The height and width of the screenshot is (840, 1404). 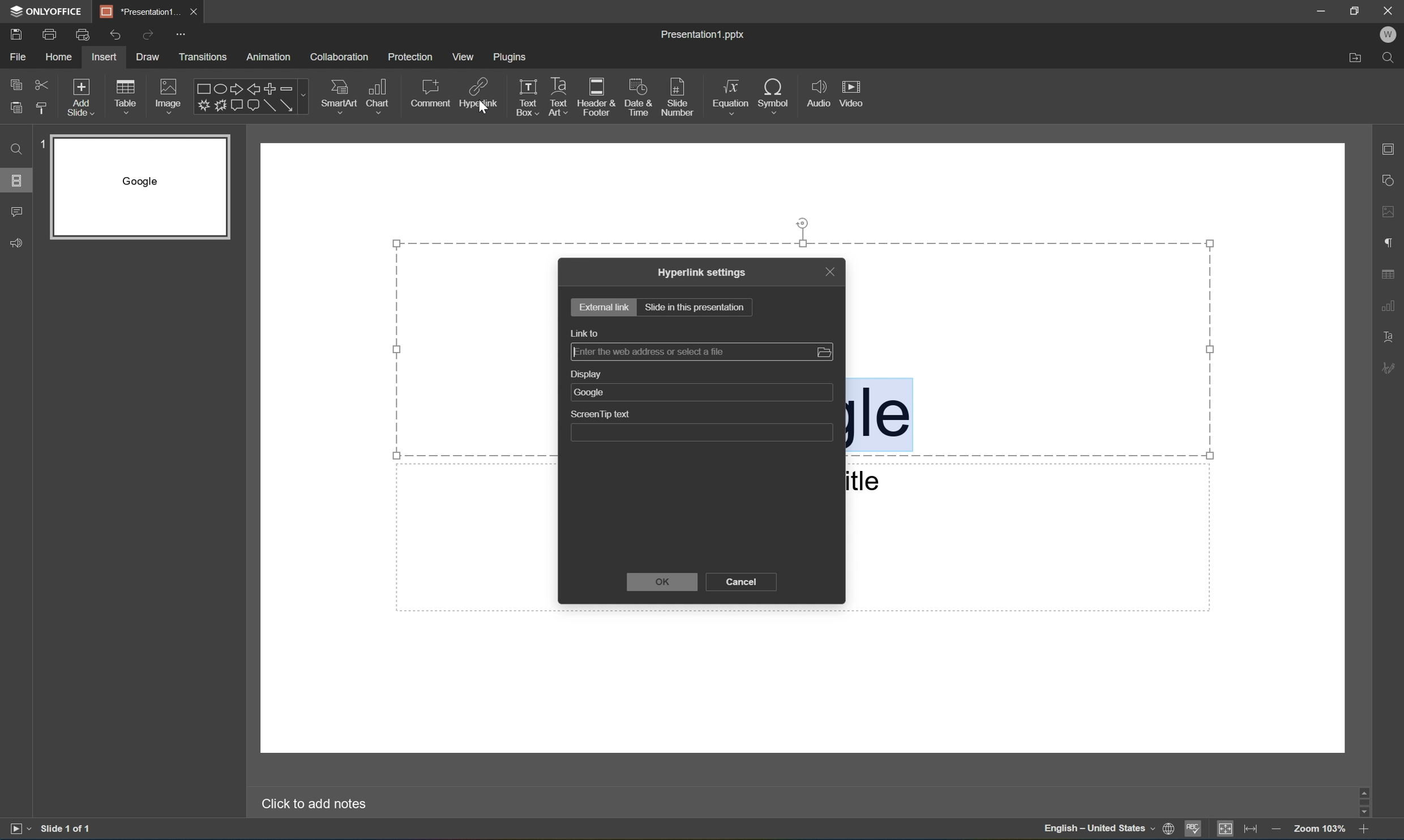 What do you see at coordinates (203, 57) in the screenshot?
I see `Transitions` at bounding box center [203, 57].